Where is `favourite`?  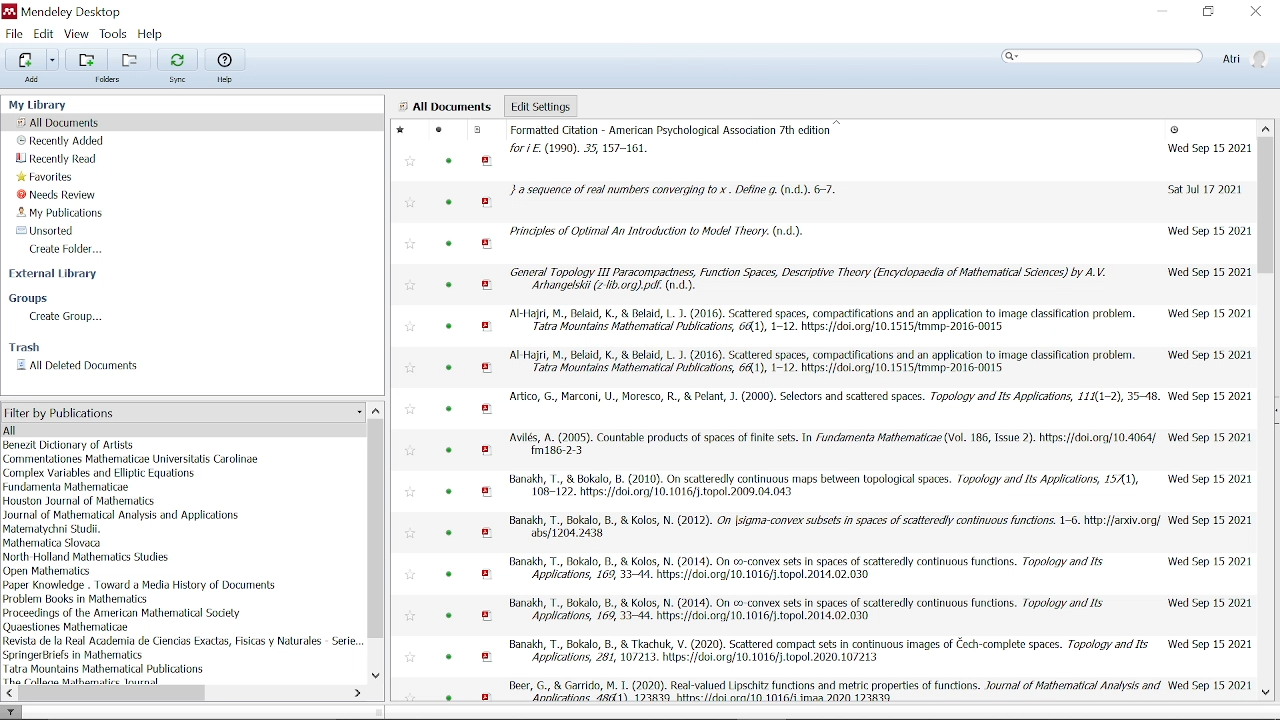 favourite is located at coordinates (403, 132).